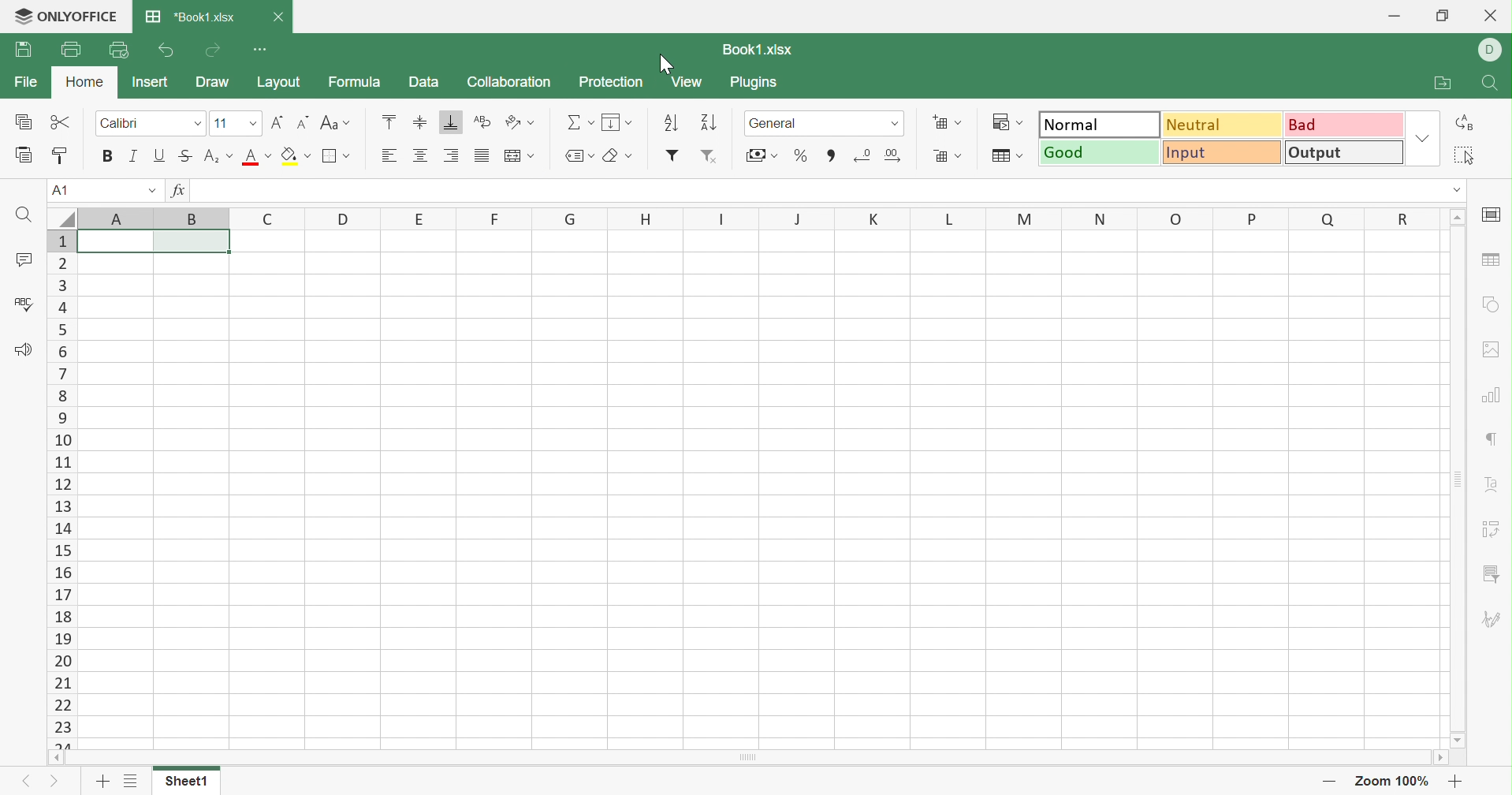 The image size is (1512, 795). What do you see at coordinates (777, 124) in the screenshot?
I see `General` at bounding box center [777, 124].